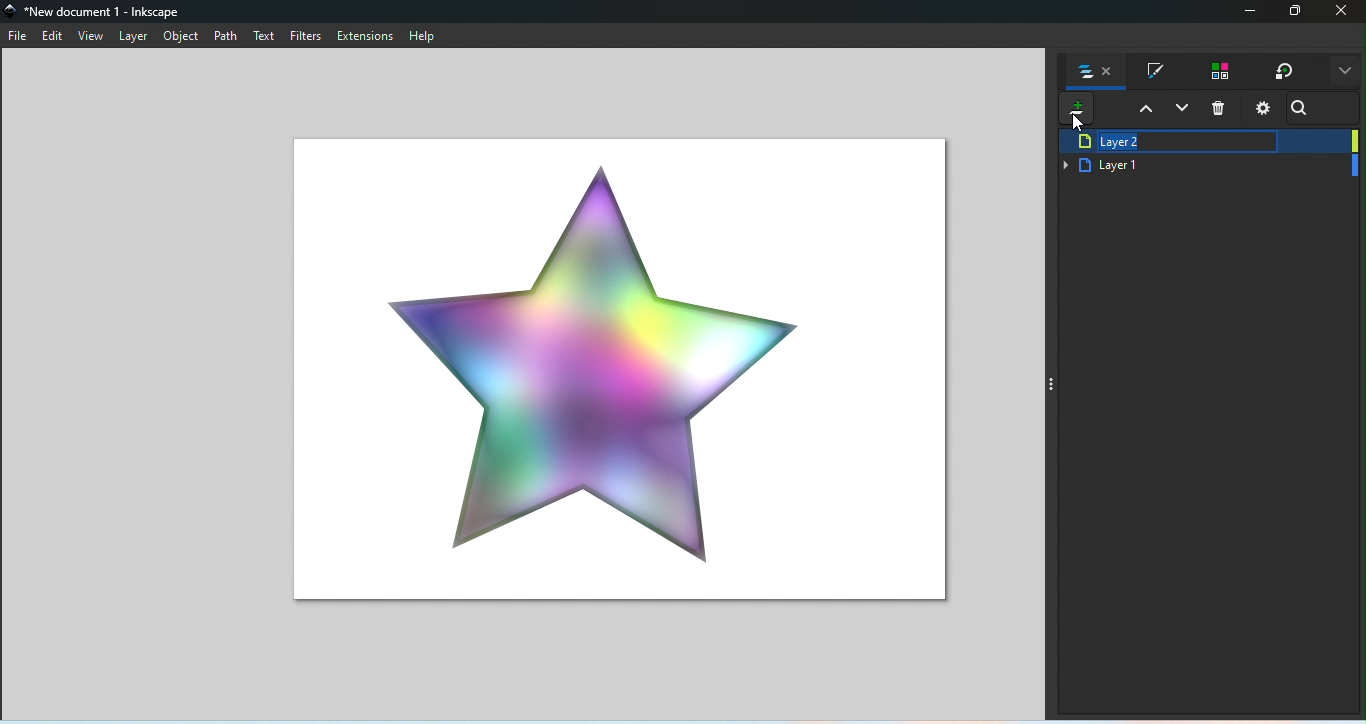 The width and height of the screenshot is (1366, 724). What do you see at coordinates (180, 38) in the screenshot?
I see `Object` at bounding box center [180, 38].